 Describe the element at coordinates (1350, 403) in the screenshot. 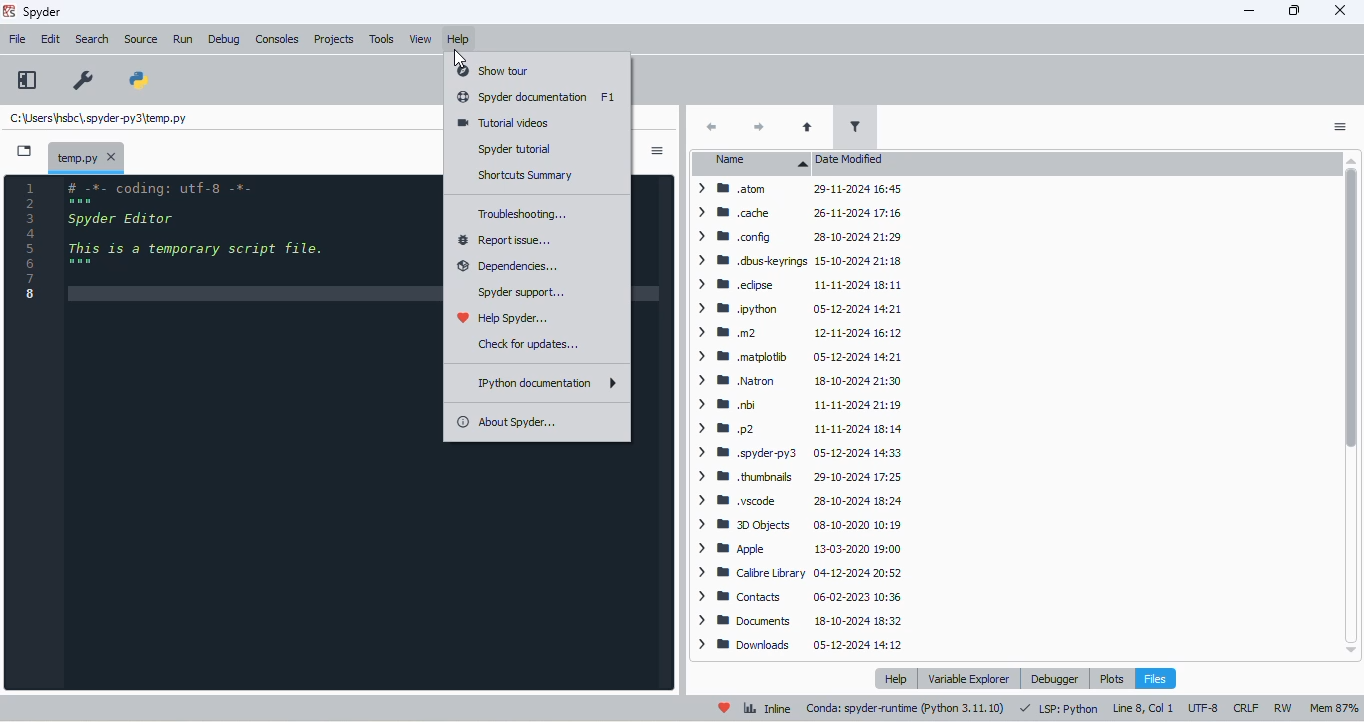

I see `vertical scroll bar` at that location.